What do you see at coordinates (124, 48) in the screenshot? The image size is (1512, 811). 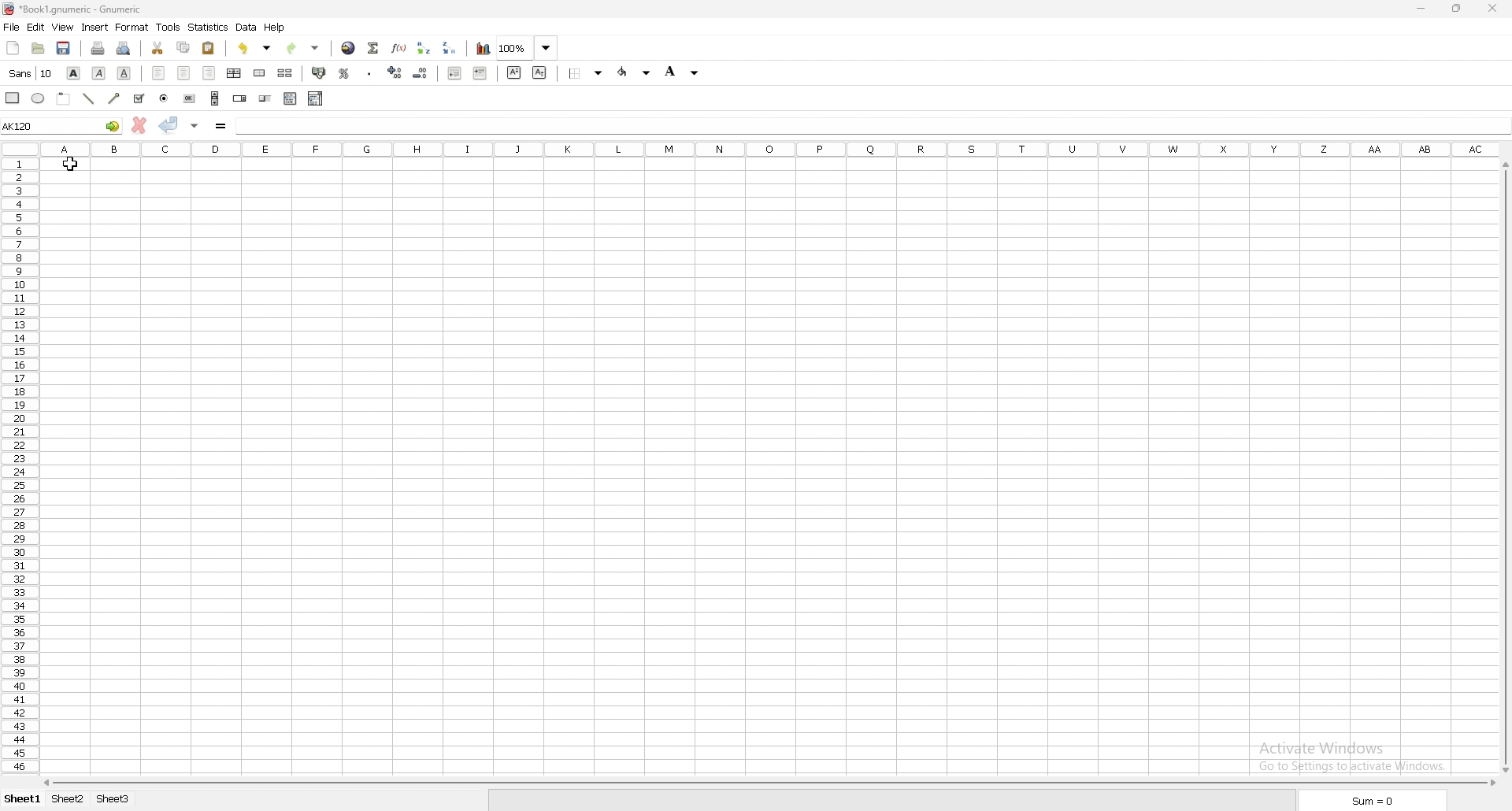 I see `print preview` at bounding box center [124, 48].